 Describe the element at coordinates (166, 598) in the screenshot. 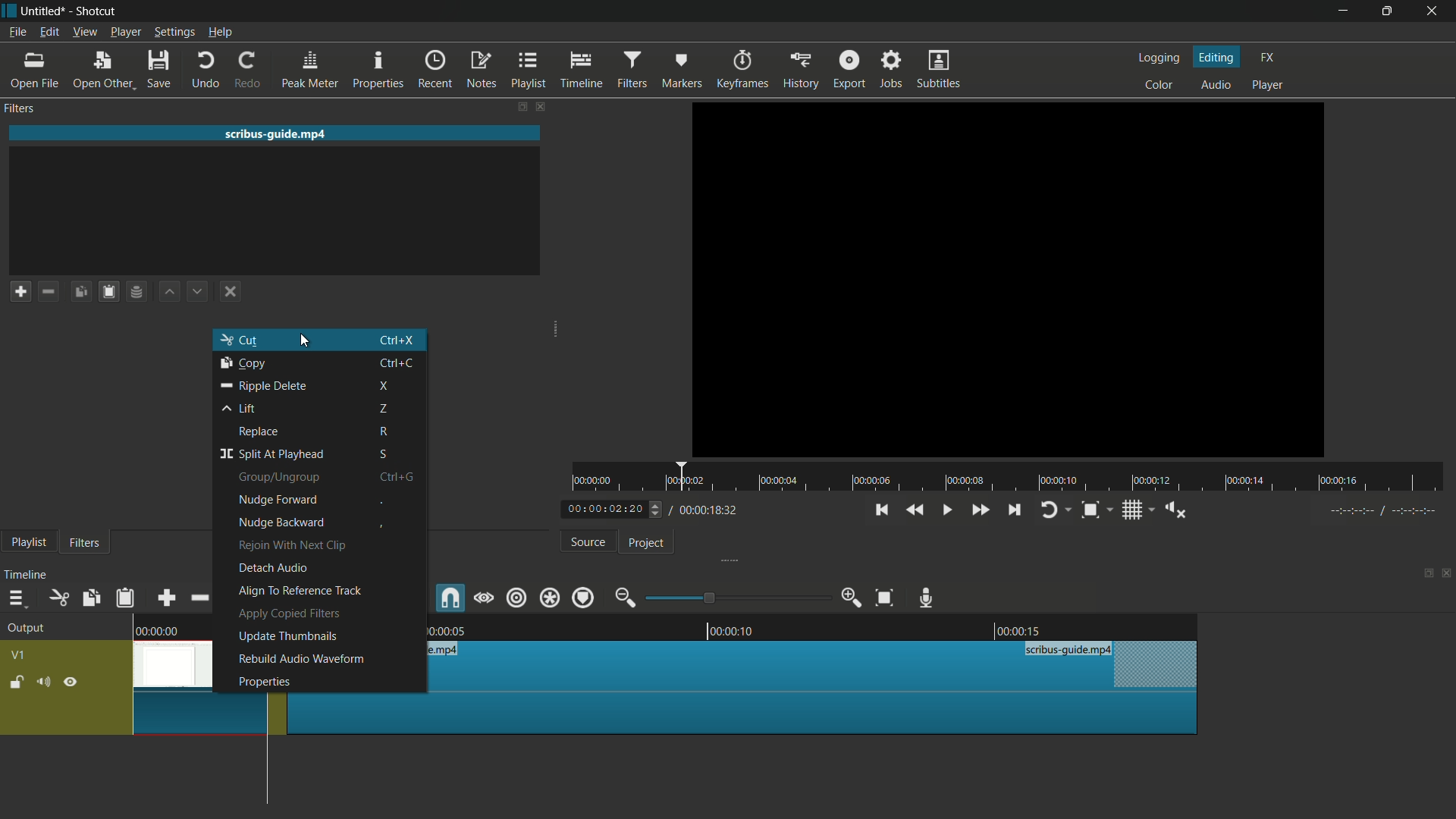

I see `append` at that location.